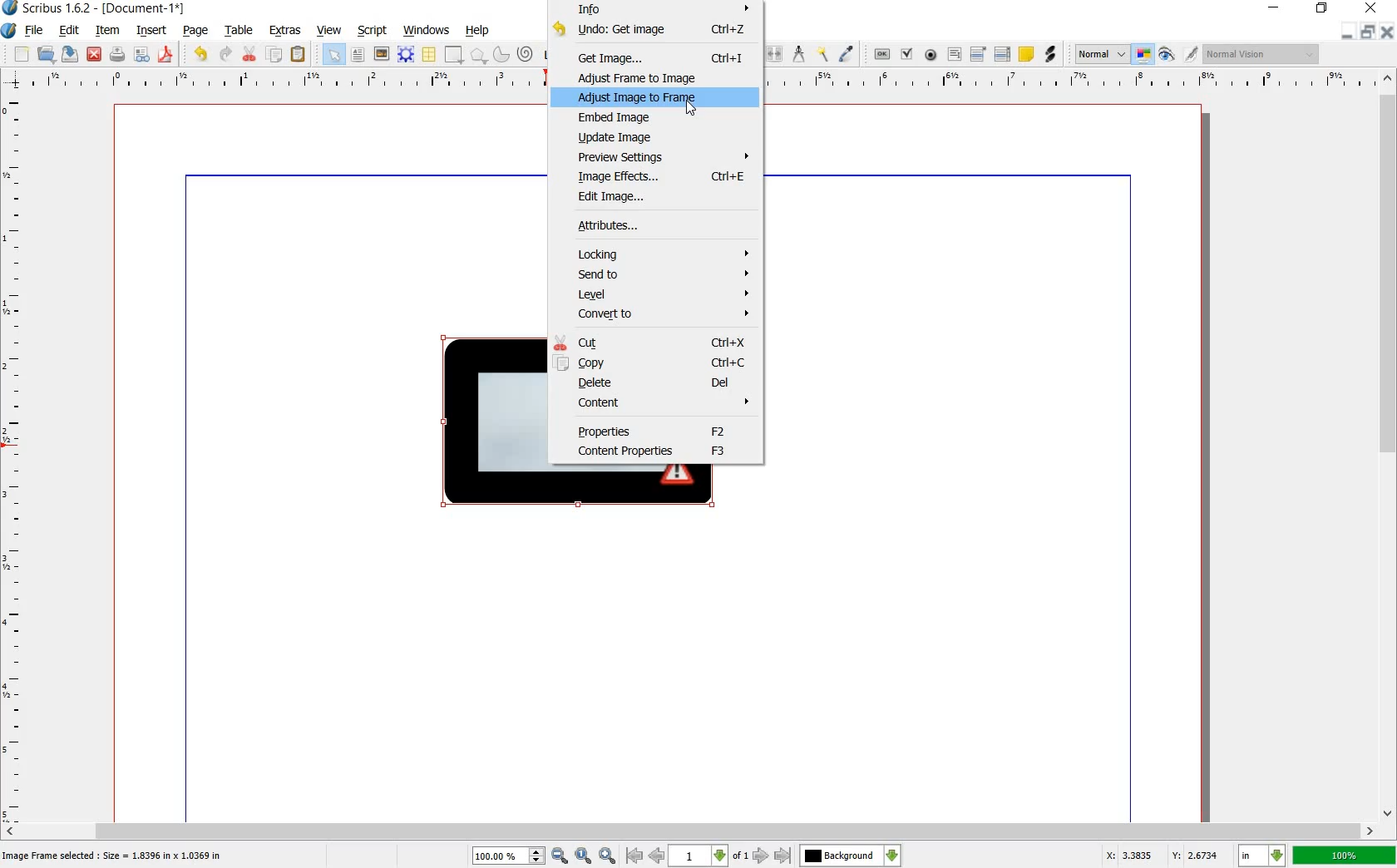 This screenshot has height=868, width=1397. Describe the element at coordinates (631, 227) in the screenshot. I see `attributes` at that location.